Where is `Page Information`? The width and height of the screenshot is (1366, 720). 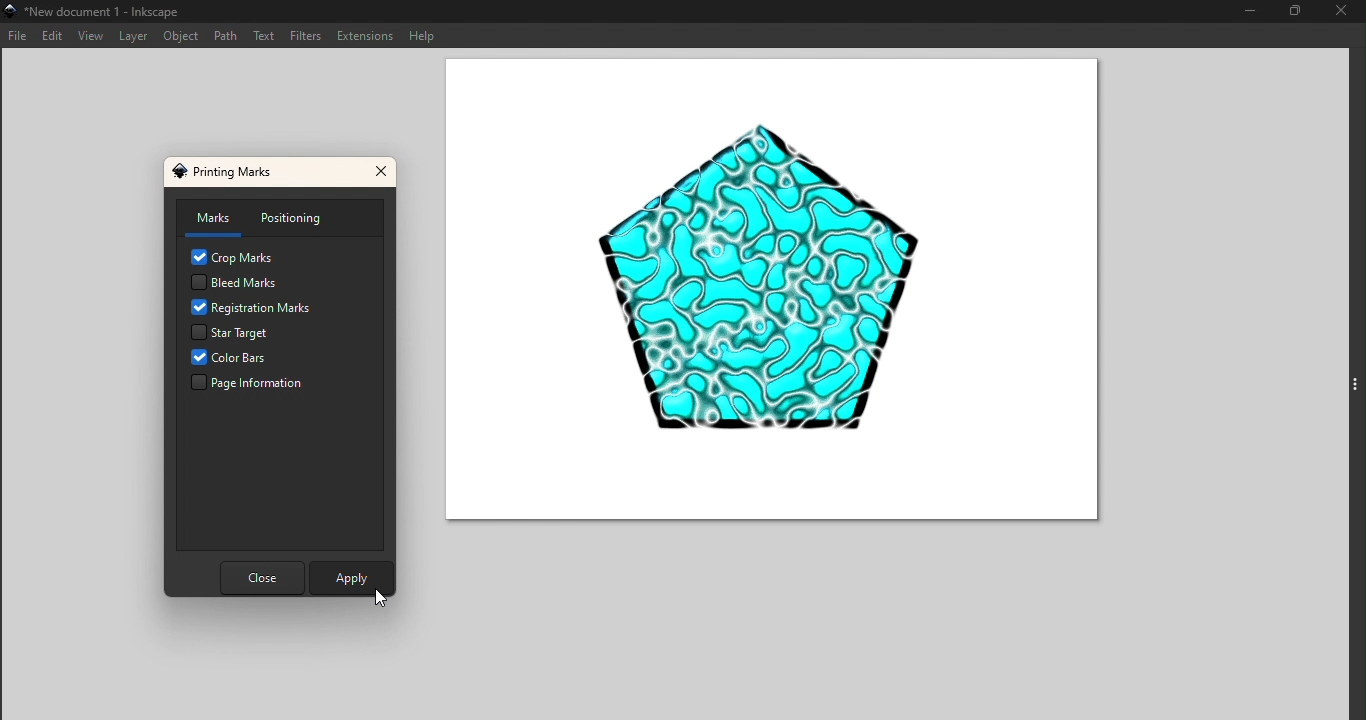 Page Information is located at coordinates (251, 385).